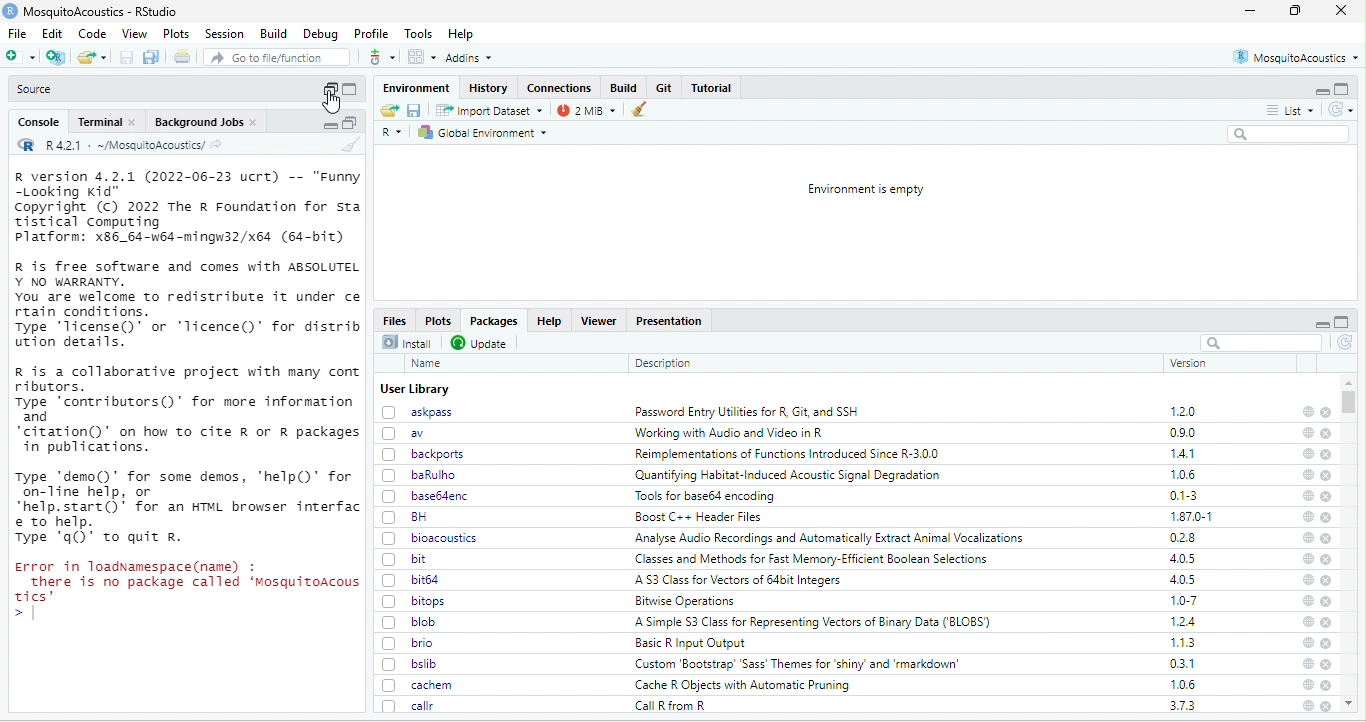 Image resolution: width=1366 pixels, height=722 pixels. I want to click on Source, so click(35, 89).